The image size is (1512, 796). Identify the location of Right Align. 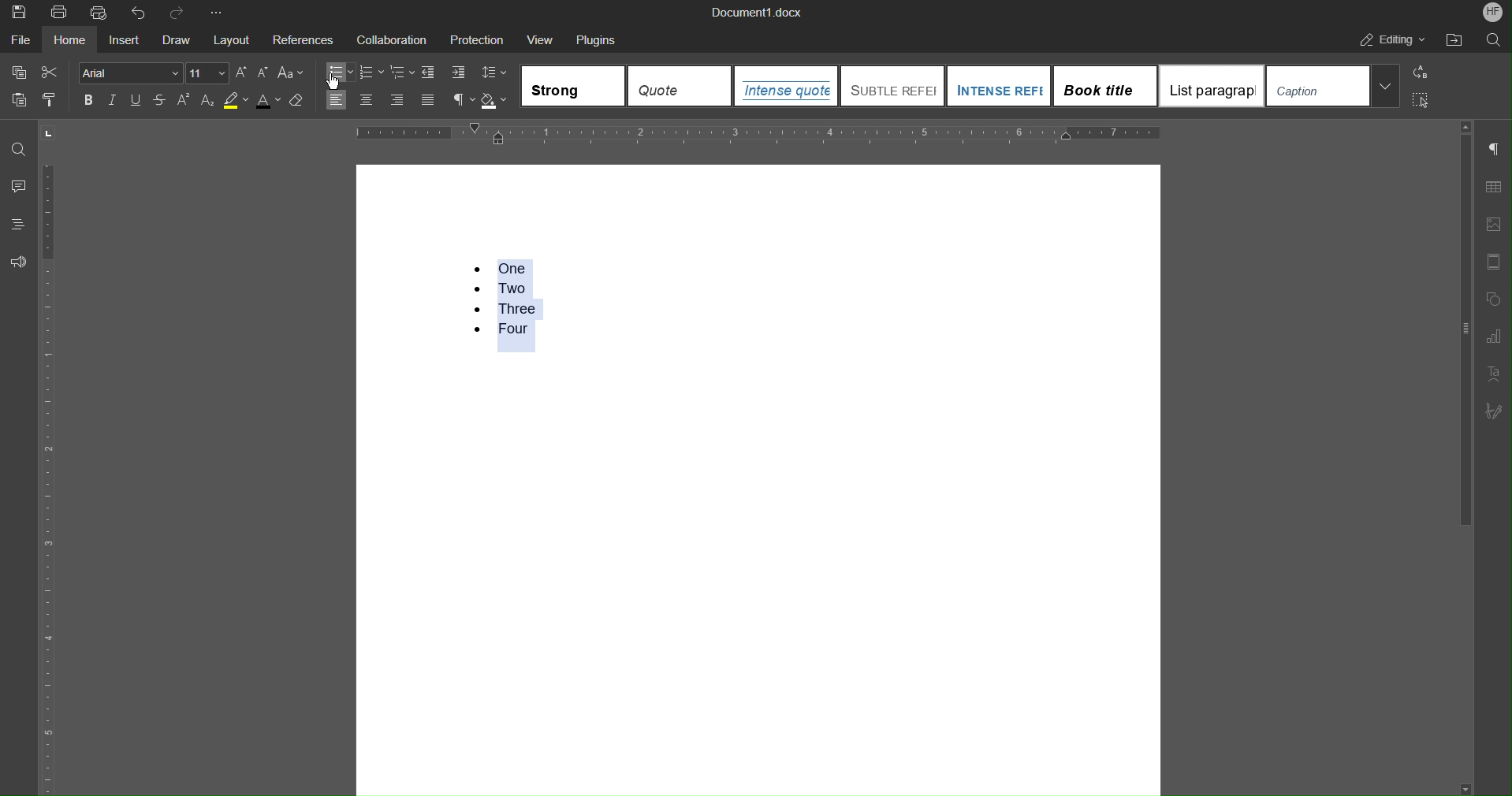
(397, 101).